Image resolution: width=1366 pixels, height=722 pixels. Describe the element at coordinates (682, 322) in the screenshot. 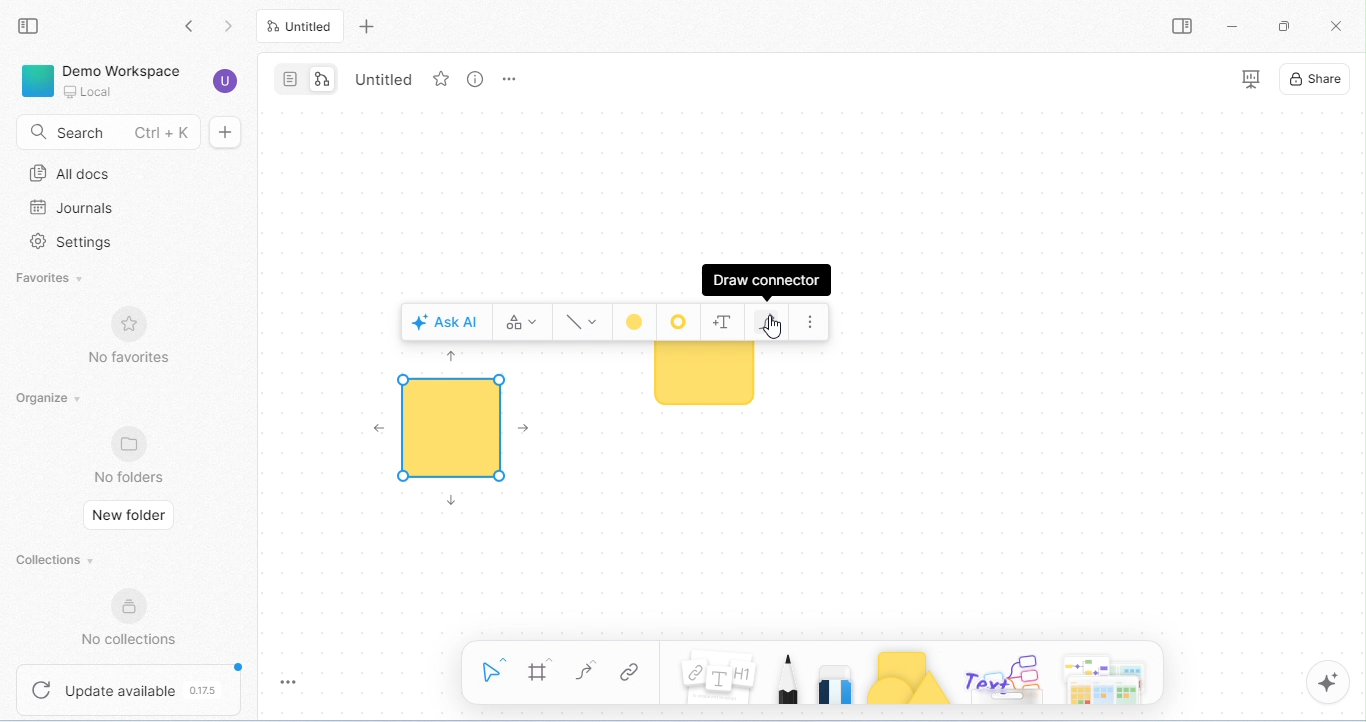

I see `border style` at that location.